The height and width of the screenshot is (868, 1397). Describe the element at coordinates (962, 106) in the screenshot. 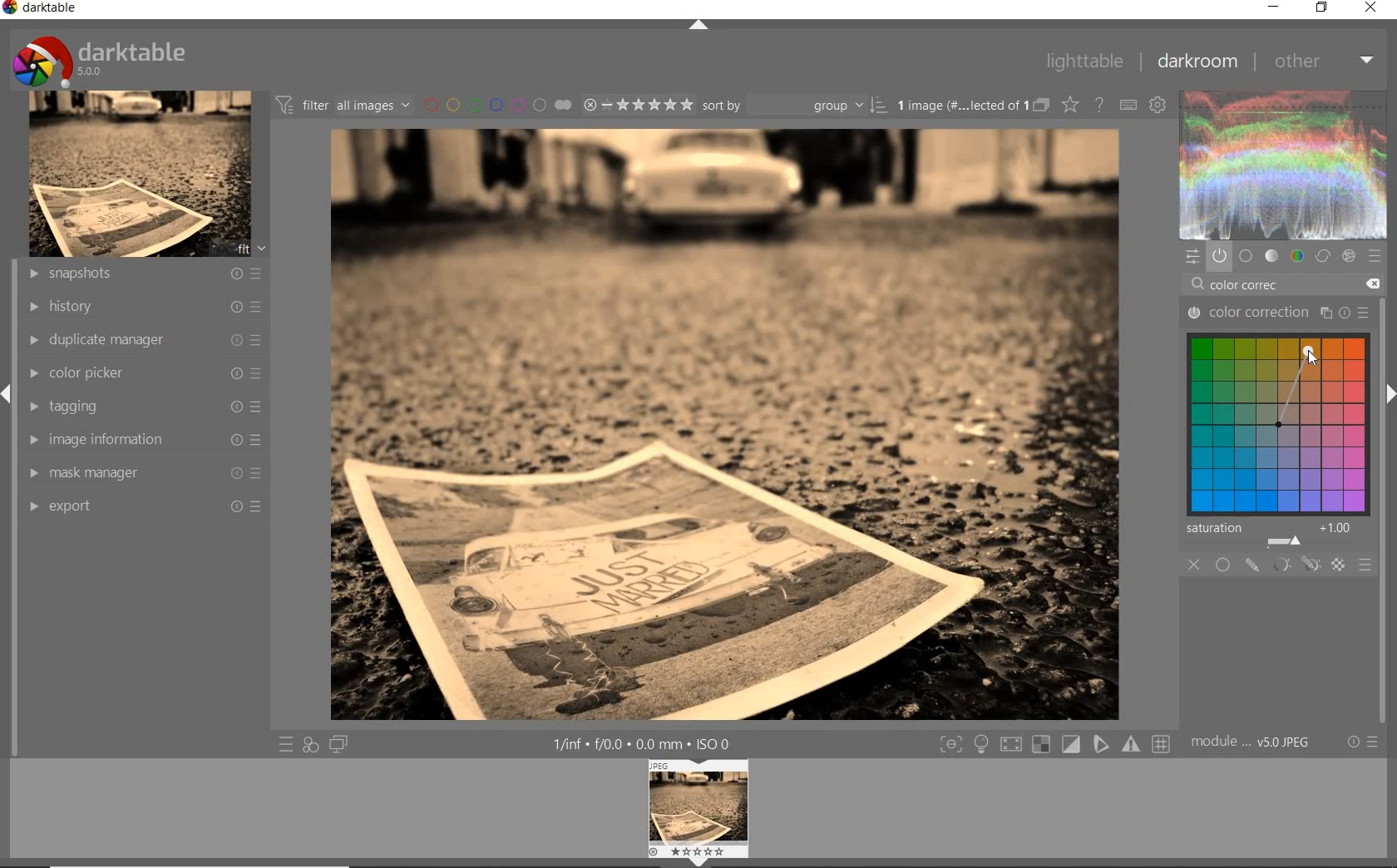

I see `selected images` at that location.